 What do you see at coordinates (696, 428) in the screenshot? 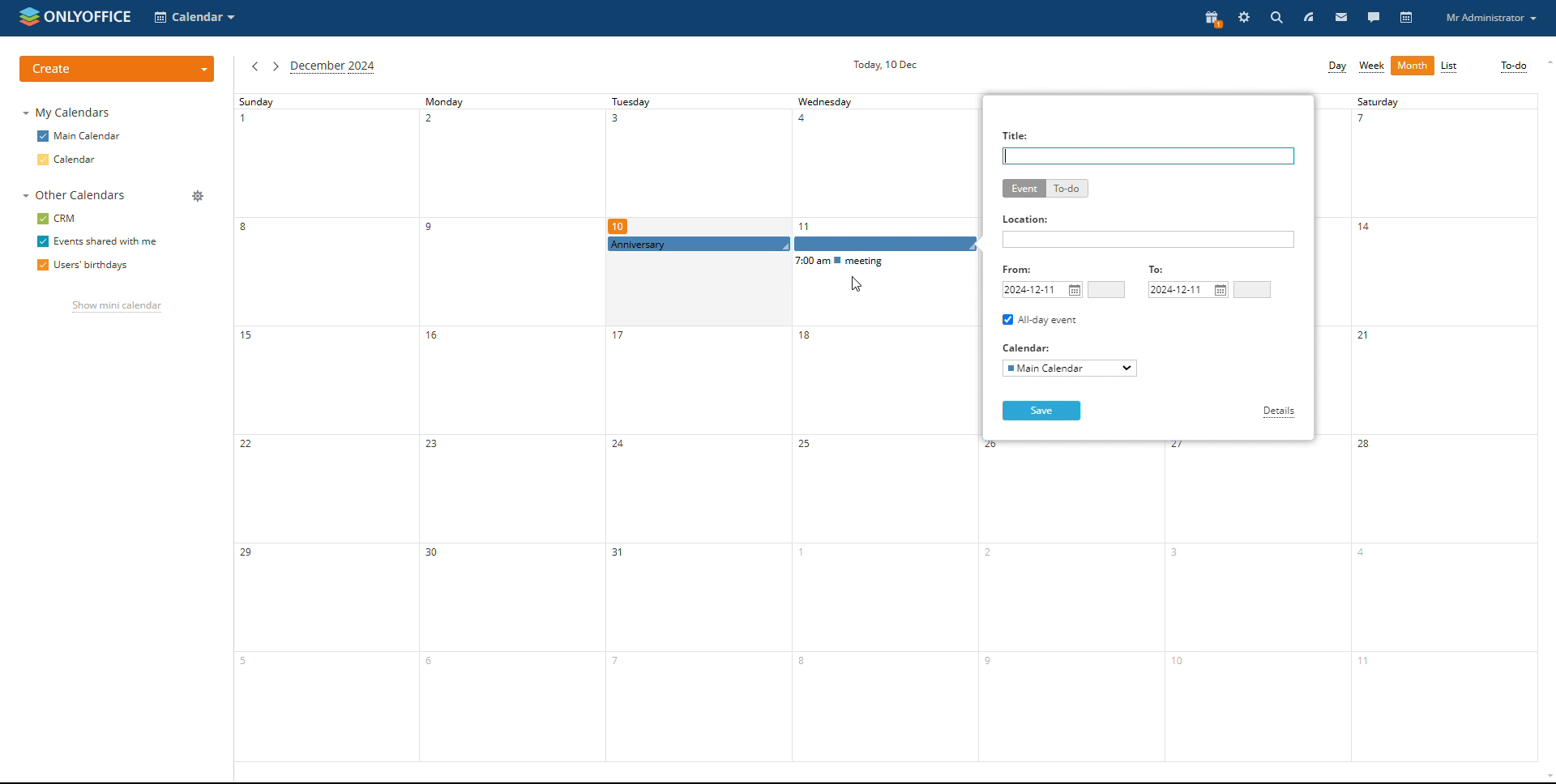
I see `tuesday` at bounding box center [696, 428].